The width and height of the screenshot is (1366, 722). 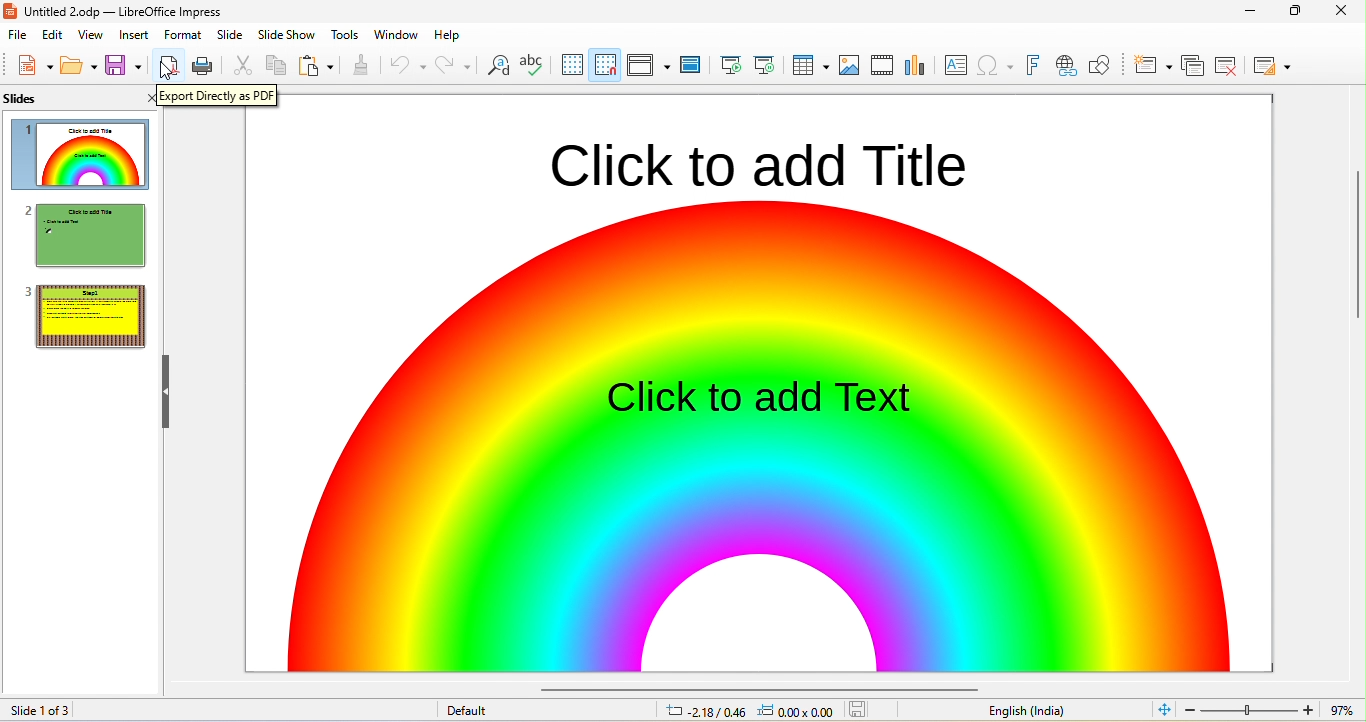 What do you see at coordinates (33, 65) in the screenshot?
I see `new` at bounding box center [33, 65].